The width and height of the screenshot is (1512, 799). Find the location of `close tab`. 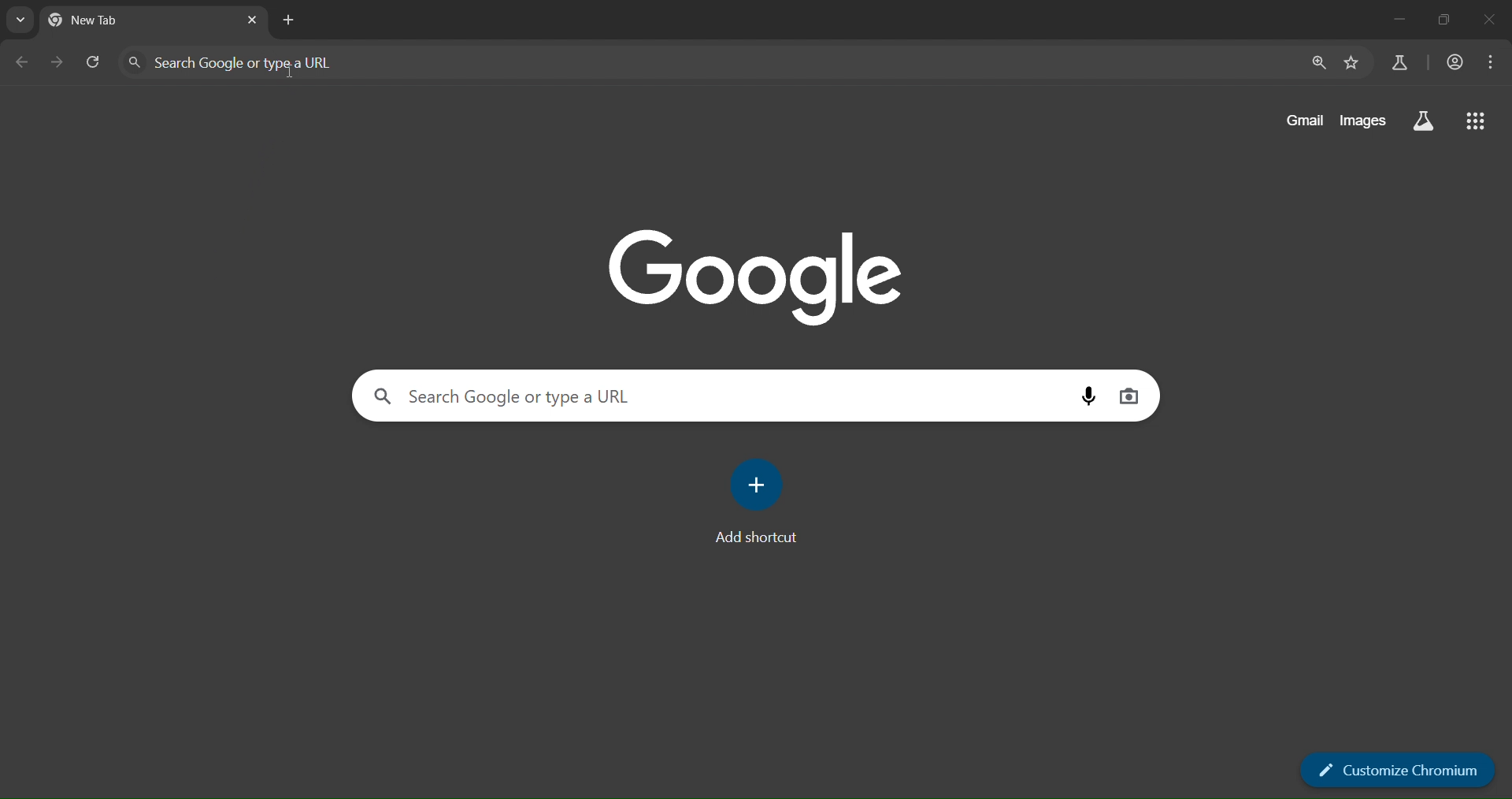

close tab is located at coordinates (254, 20).